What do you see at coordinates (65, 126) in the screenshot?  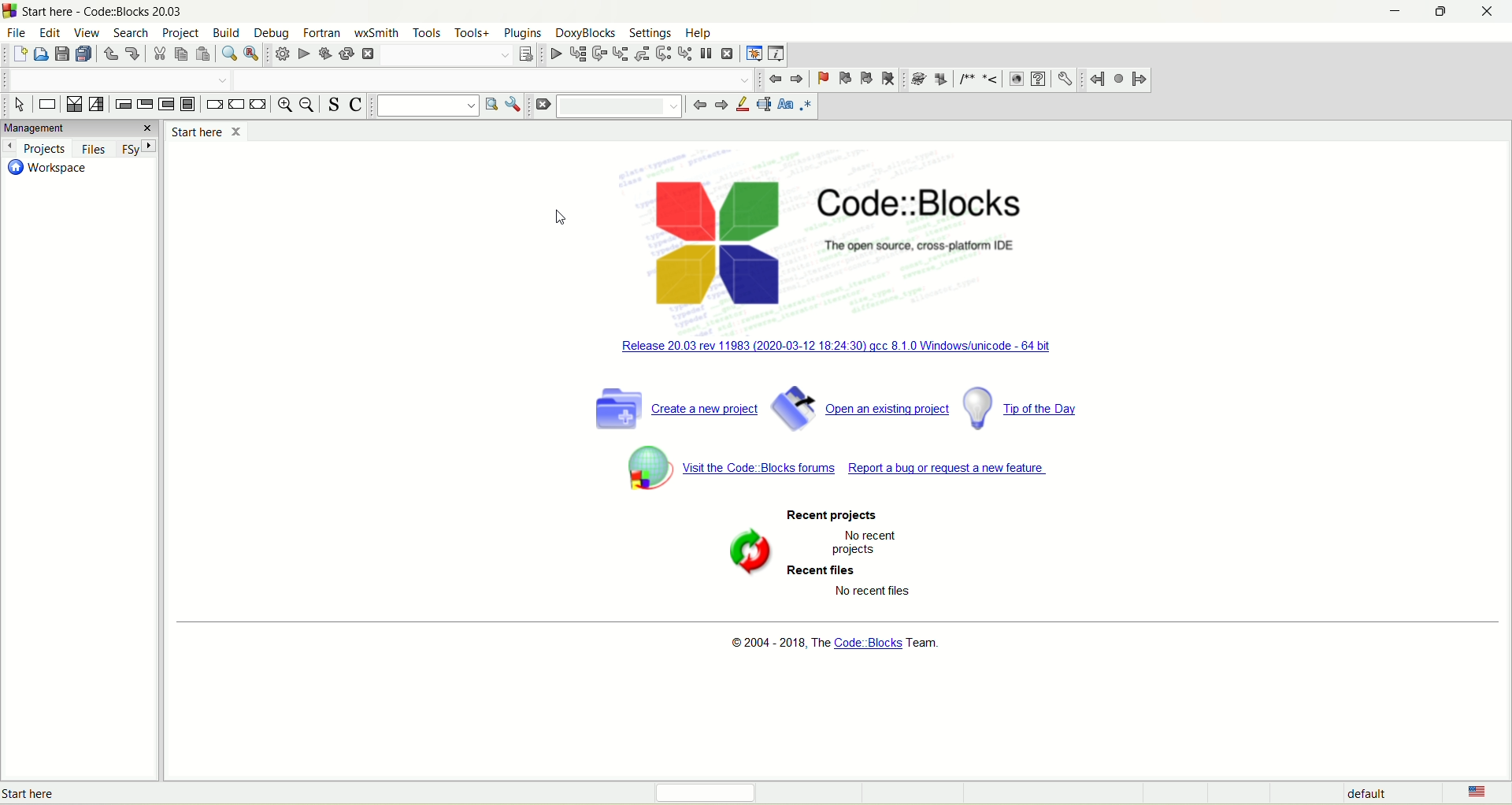 I see `management` at bounding box center [65, 126].